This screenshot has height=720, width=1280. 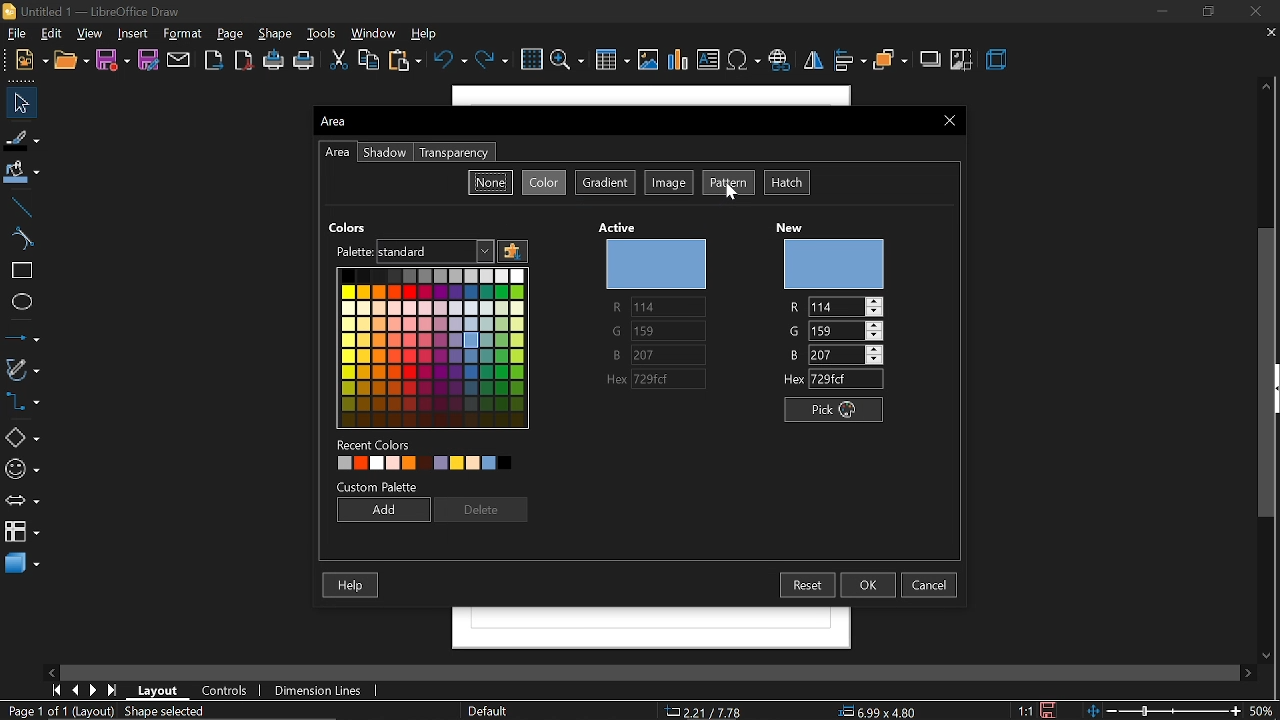 What do you see at coordinates (148, 60) in the screenshot?
I see `save as` at bounding box center [148, 60].